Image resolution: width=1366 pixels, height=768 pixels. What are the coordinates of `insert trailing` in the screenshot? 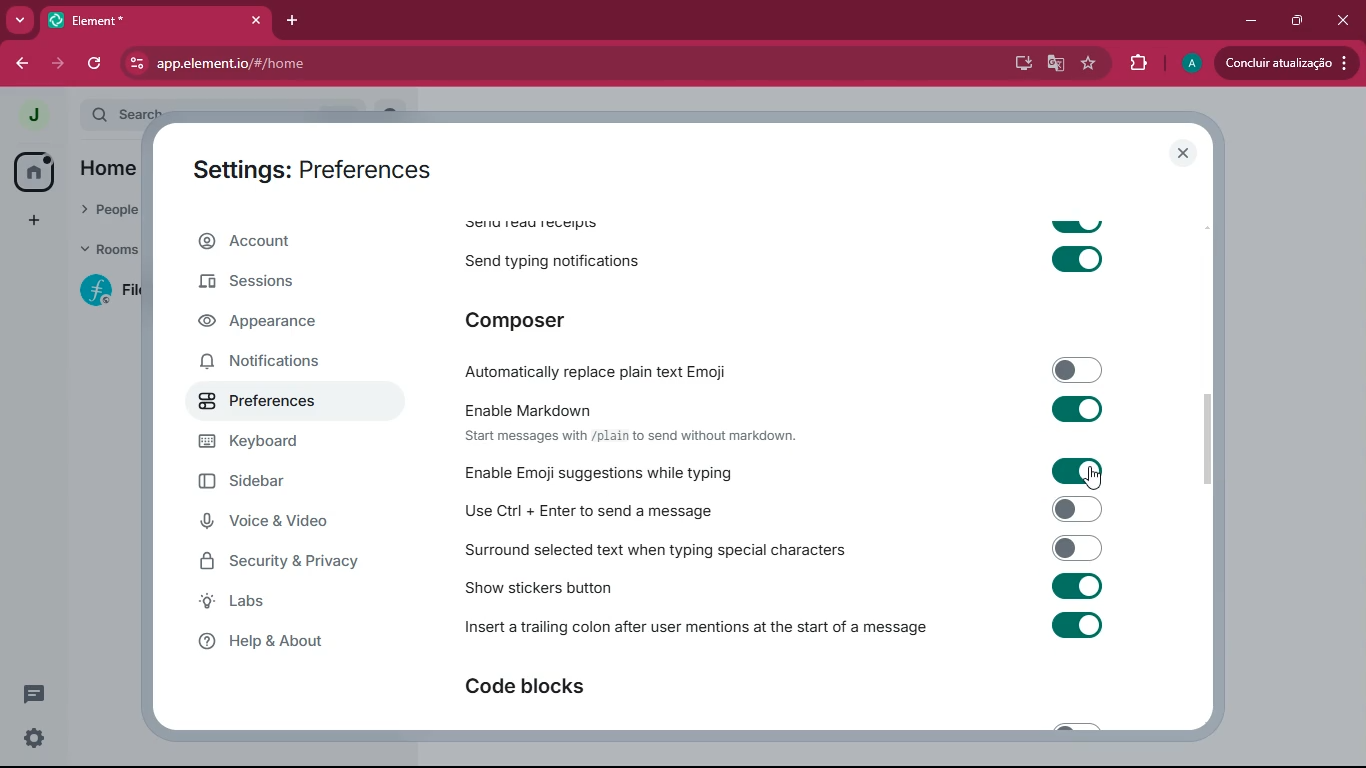 It's located at (787, 628).